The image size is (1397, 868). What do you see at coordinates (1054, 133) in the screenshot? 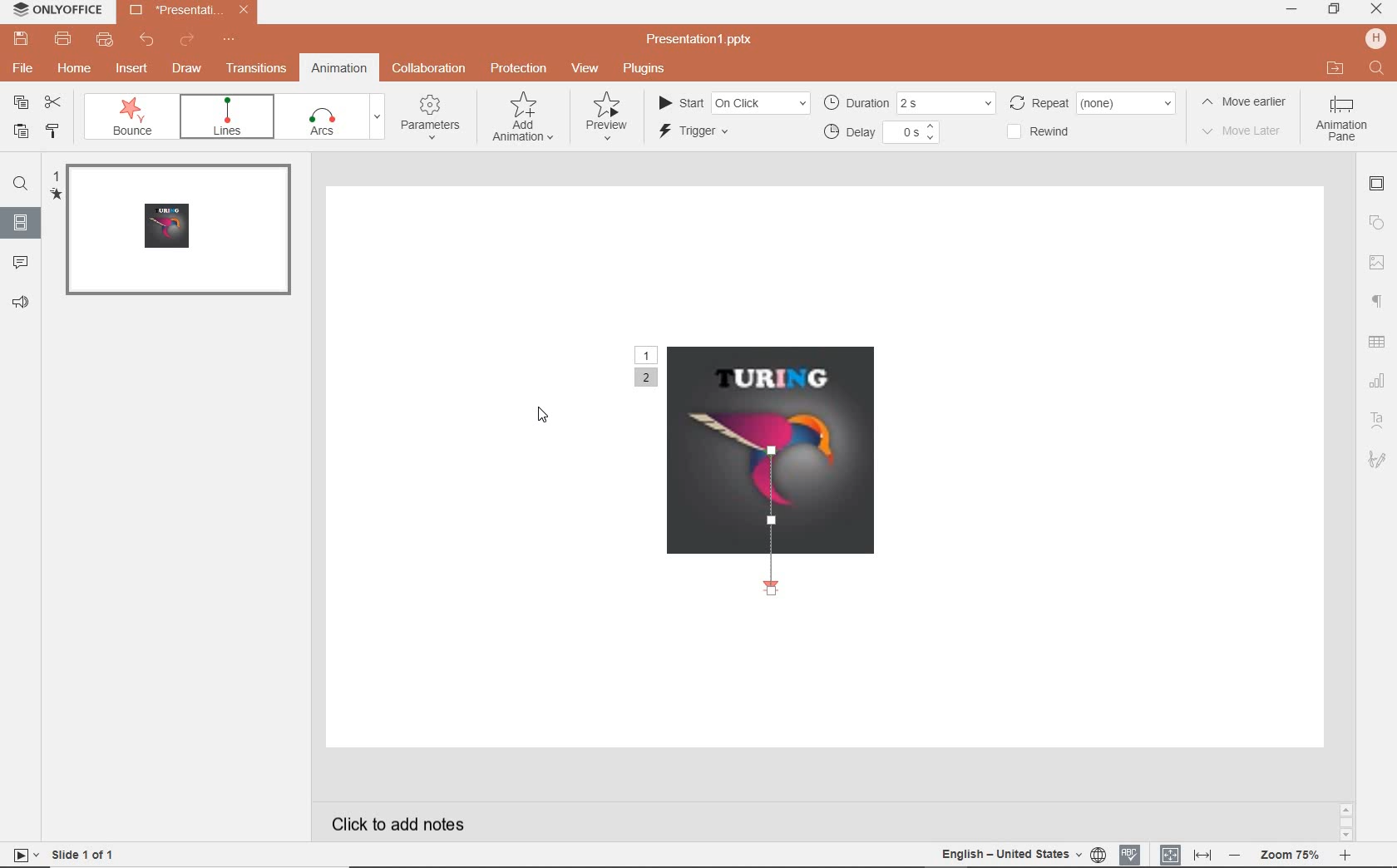
I see `rewind` at bounding box center [1054, 133].